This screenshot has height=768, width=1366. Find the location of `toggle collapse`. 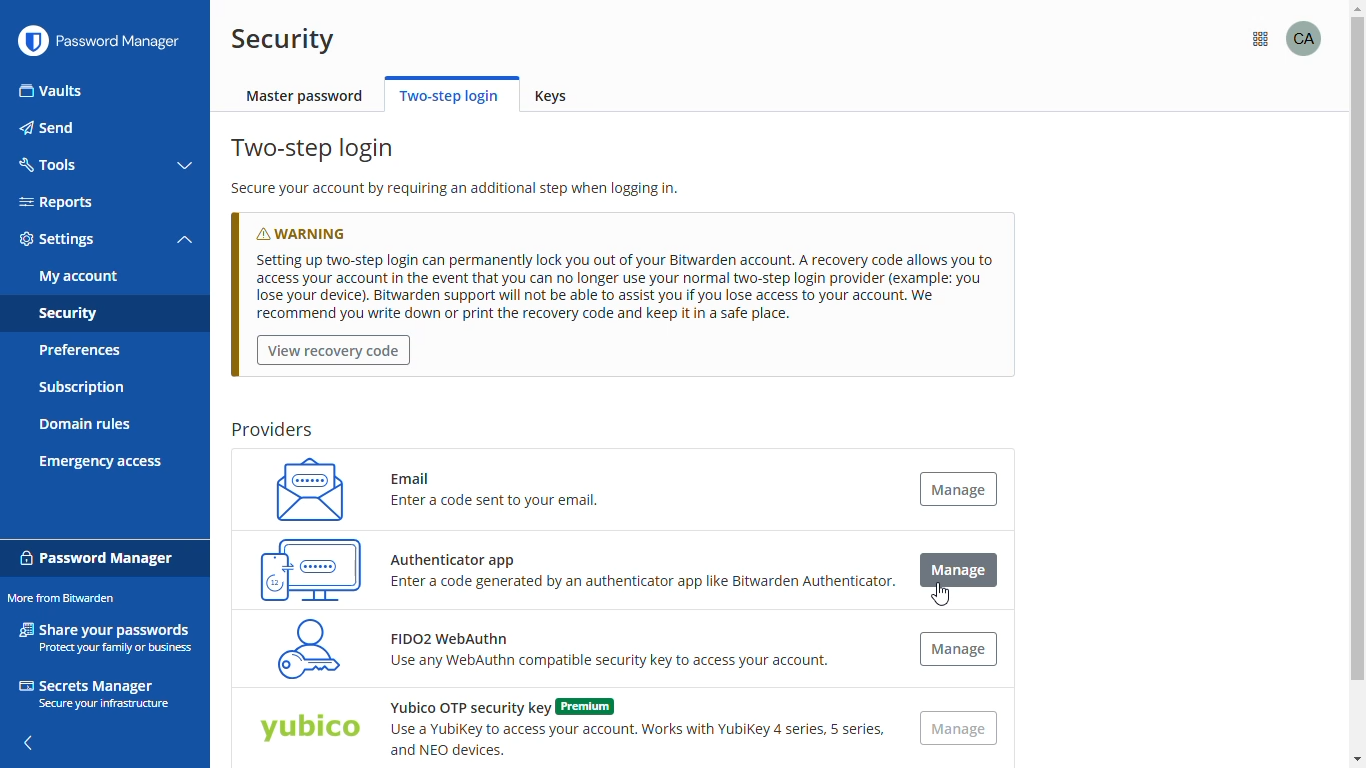

toggle collapse is located at coordinates (187, 166).